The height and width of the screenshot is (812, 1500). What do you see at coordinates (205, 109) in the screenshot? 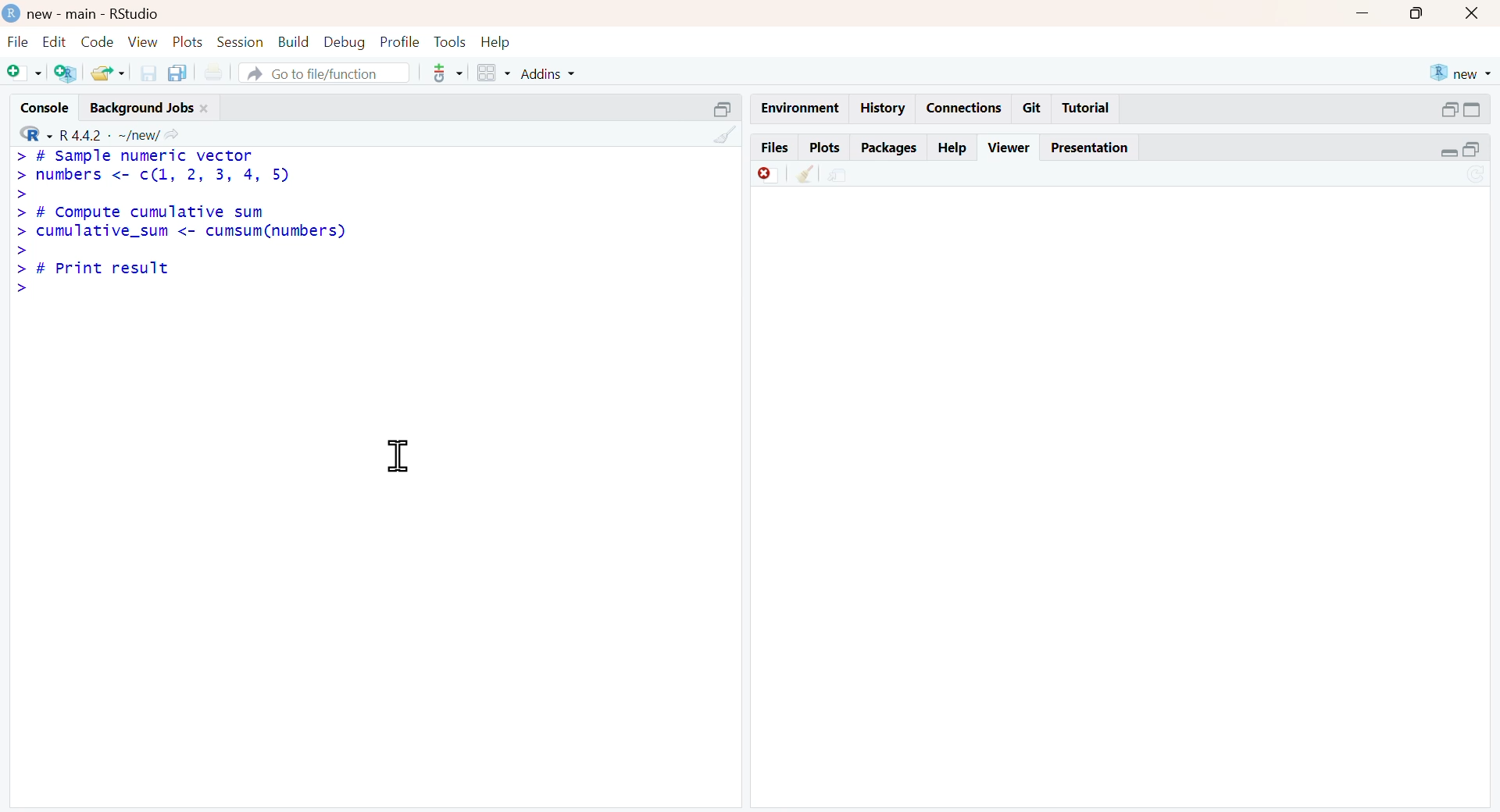
I see `close` at bounding box center [205, 109].